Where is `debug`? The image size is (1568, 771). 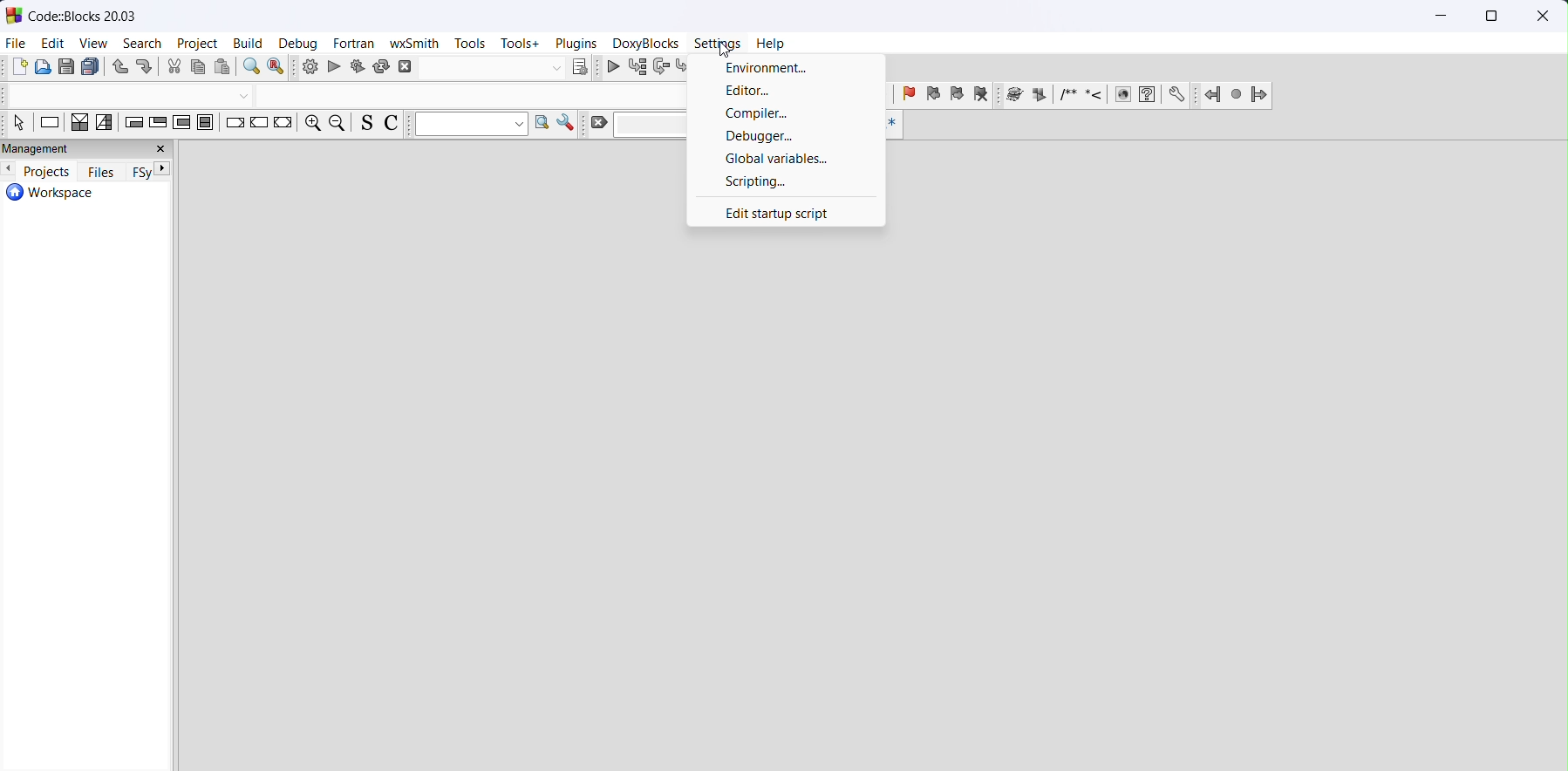 debug is located at coordinates (302, 44).